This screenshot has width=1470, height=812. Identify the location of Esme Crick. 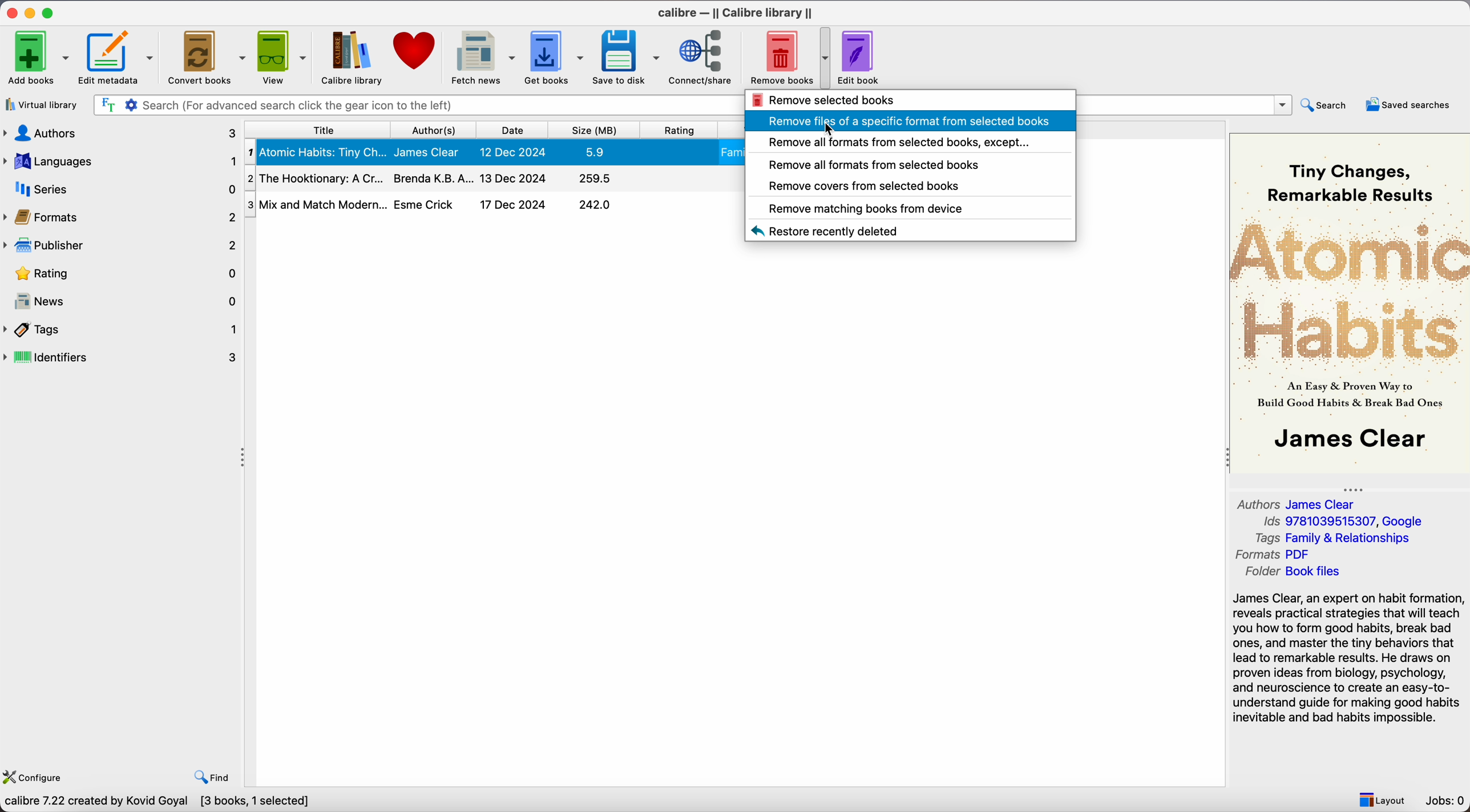
(427, 204).